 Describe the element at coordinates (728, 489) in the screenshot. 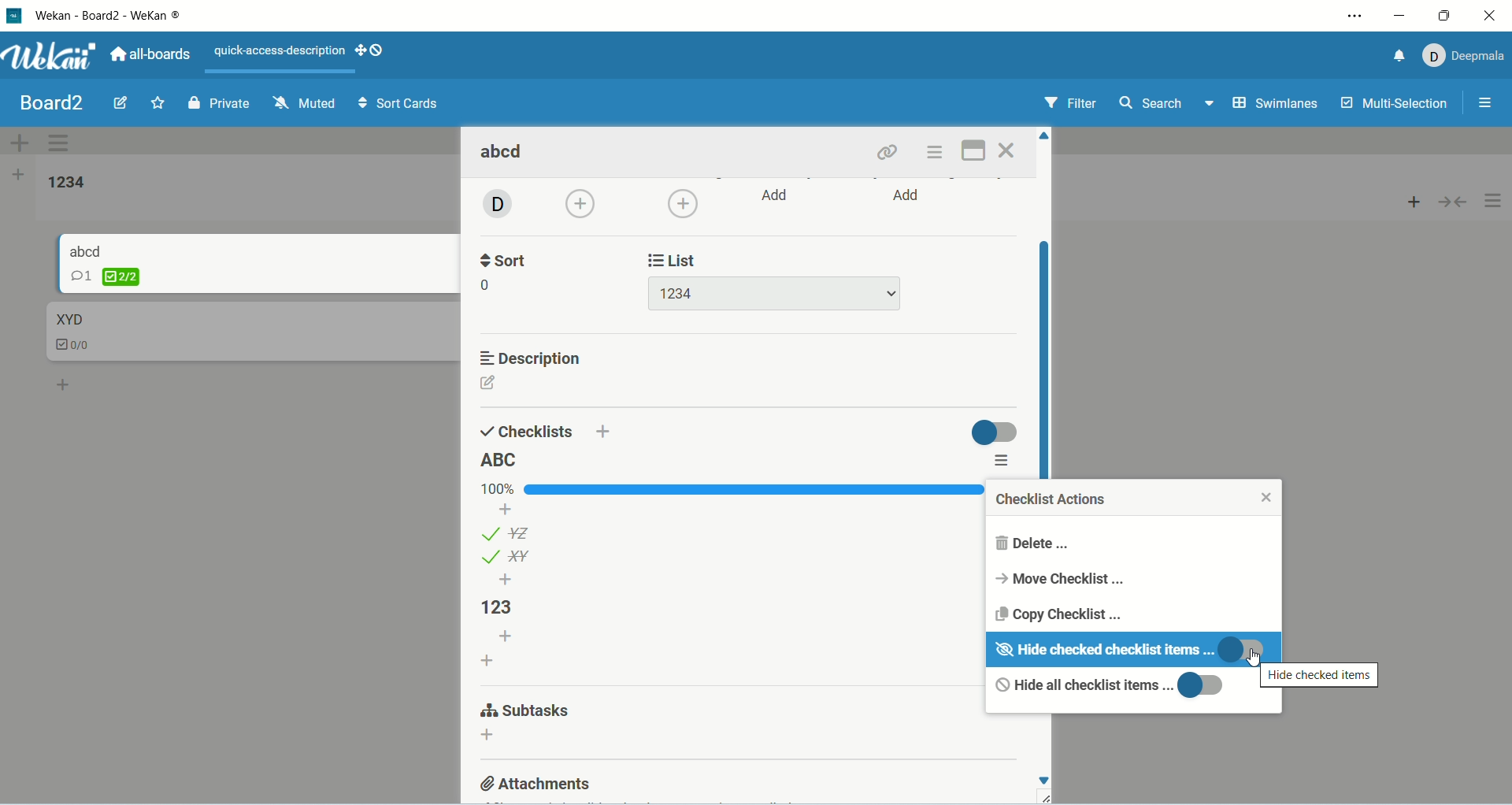

I see `progress` at that location.